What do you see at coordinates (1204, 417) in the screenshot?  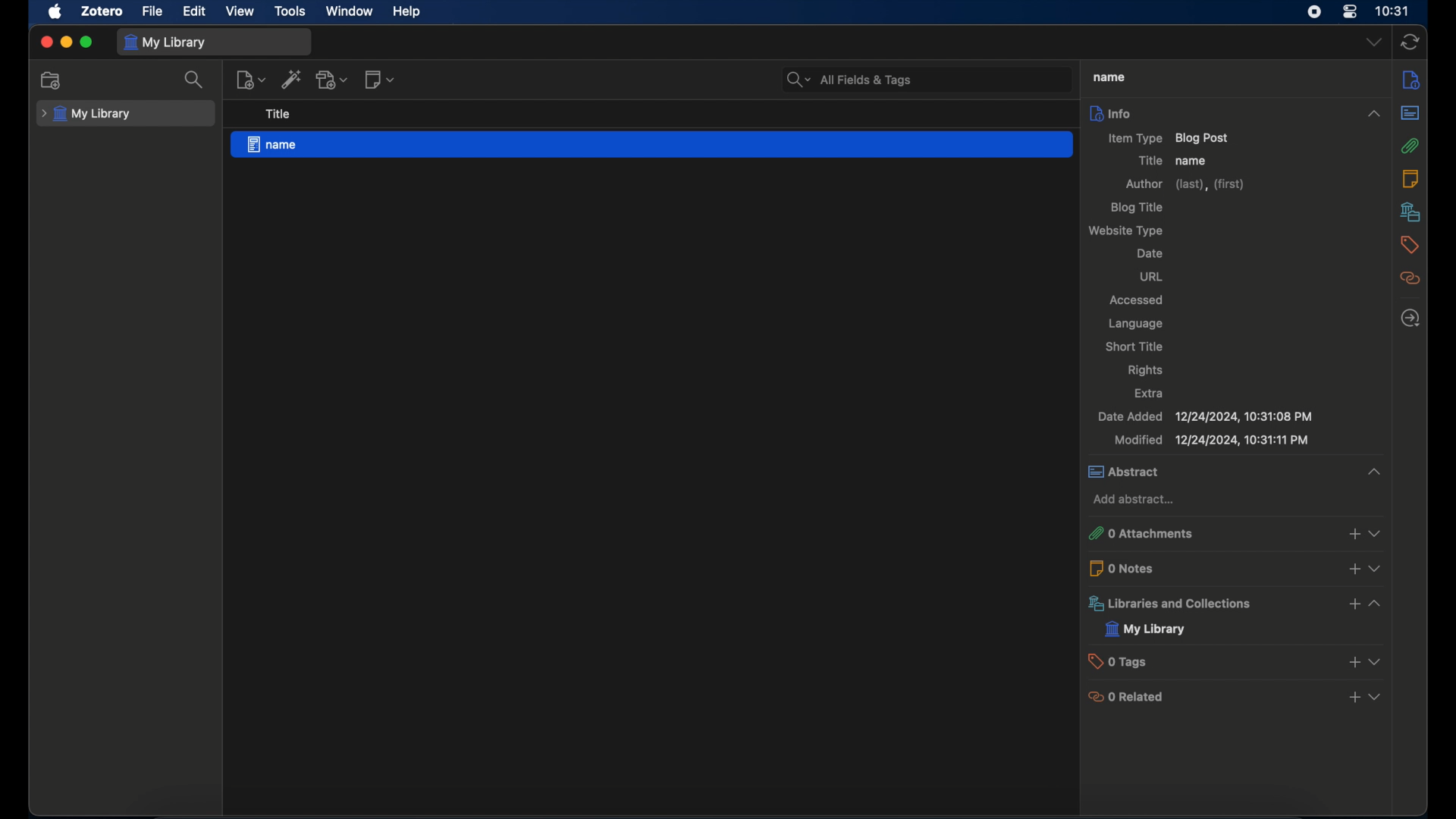 I see `date added` at bounding box center [1204, 417].